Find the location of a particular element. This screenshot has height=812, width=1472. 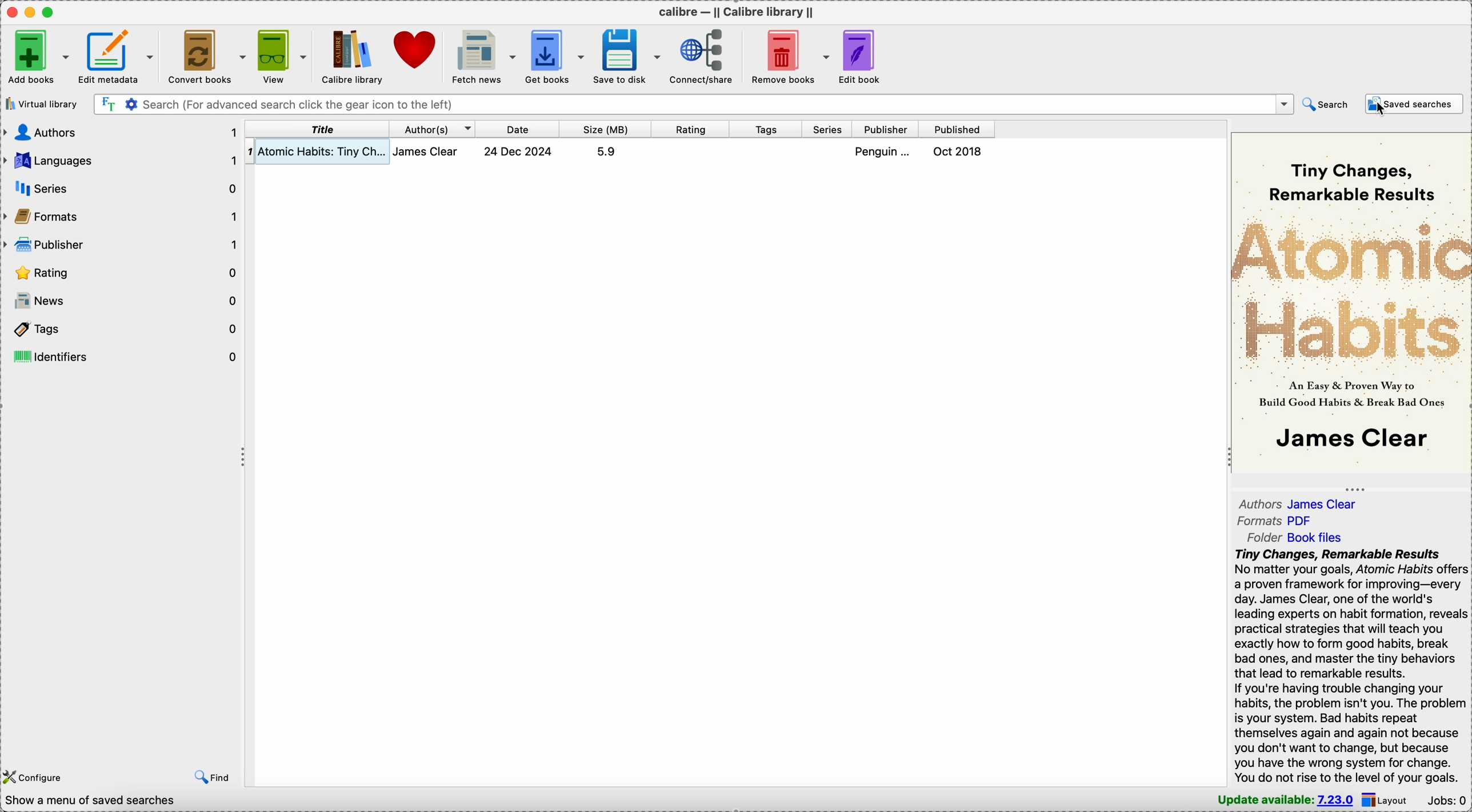

penguin... is located at coordinates (885, 151).